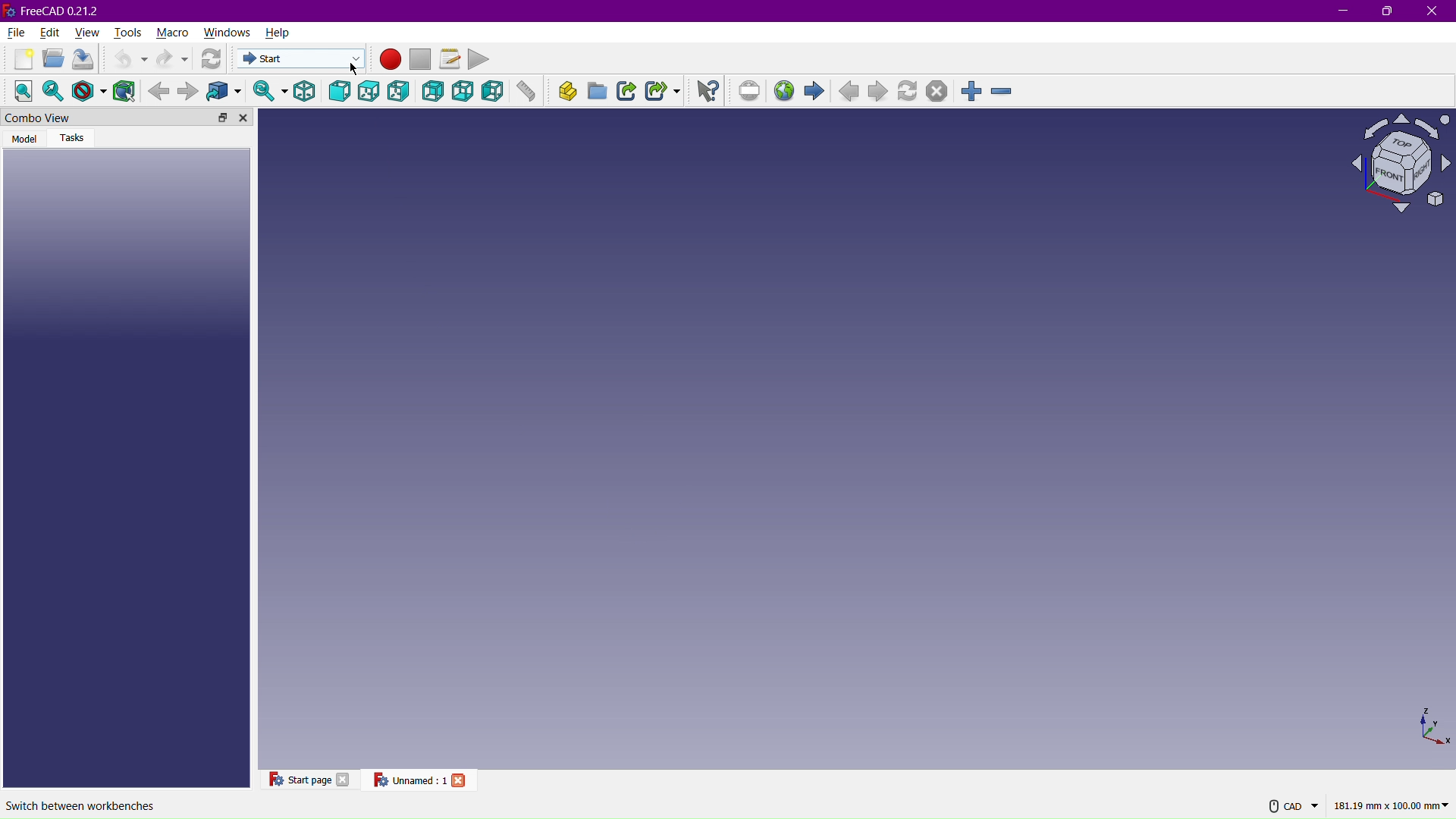  What do you see at coordinates (596, 89) in the screenshot?
I see `Create group` at bounding box center [596, 89].